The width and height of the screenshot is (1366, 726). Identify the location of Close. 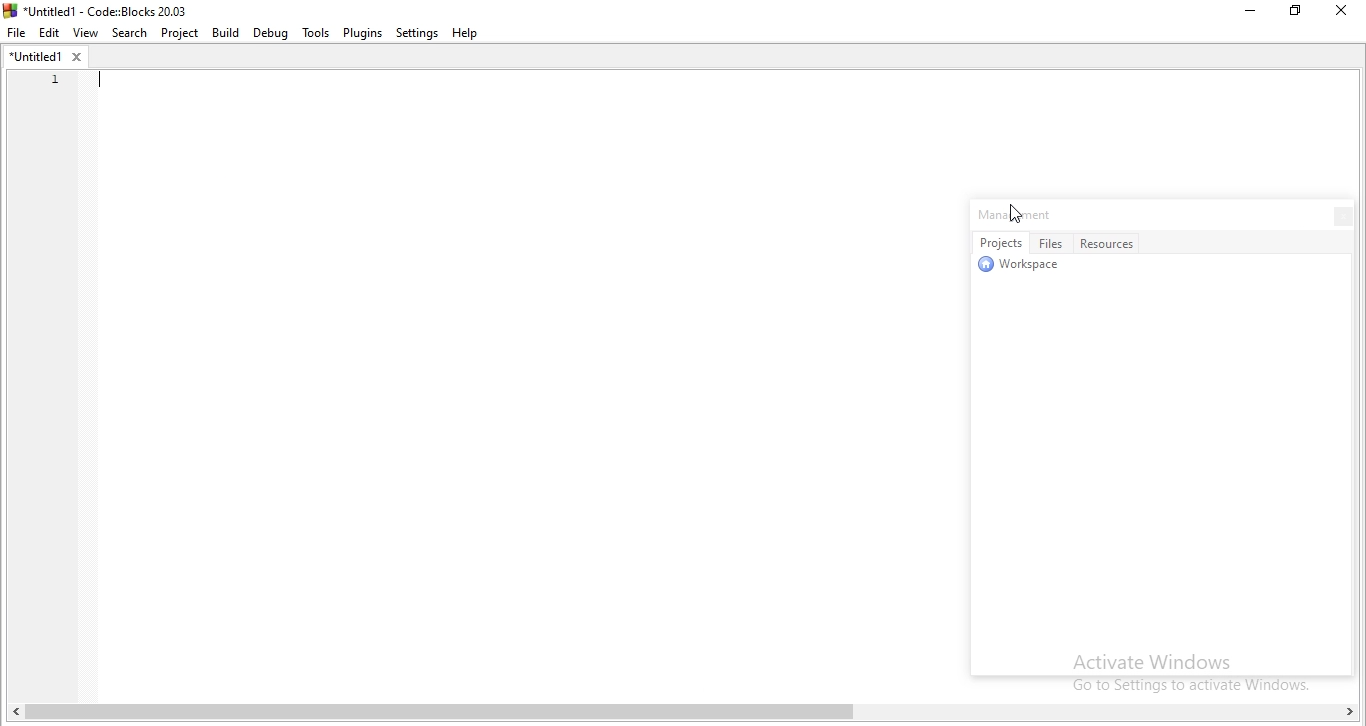
(1339, 13).